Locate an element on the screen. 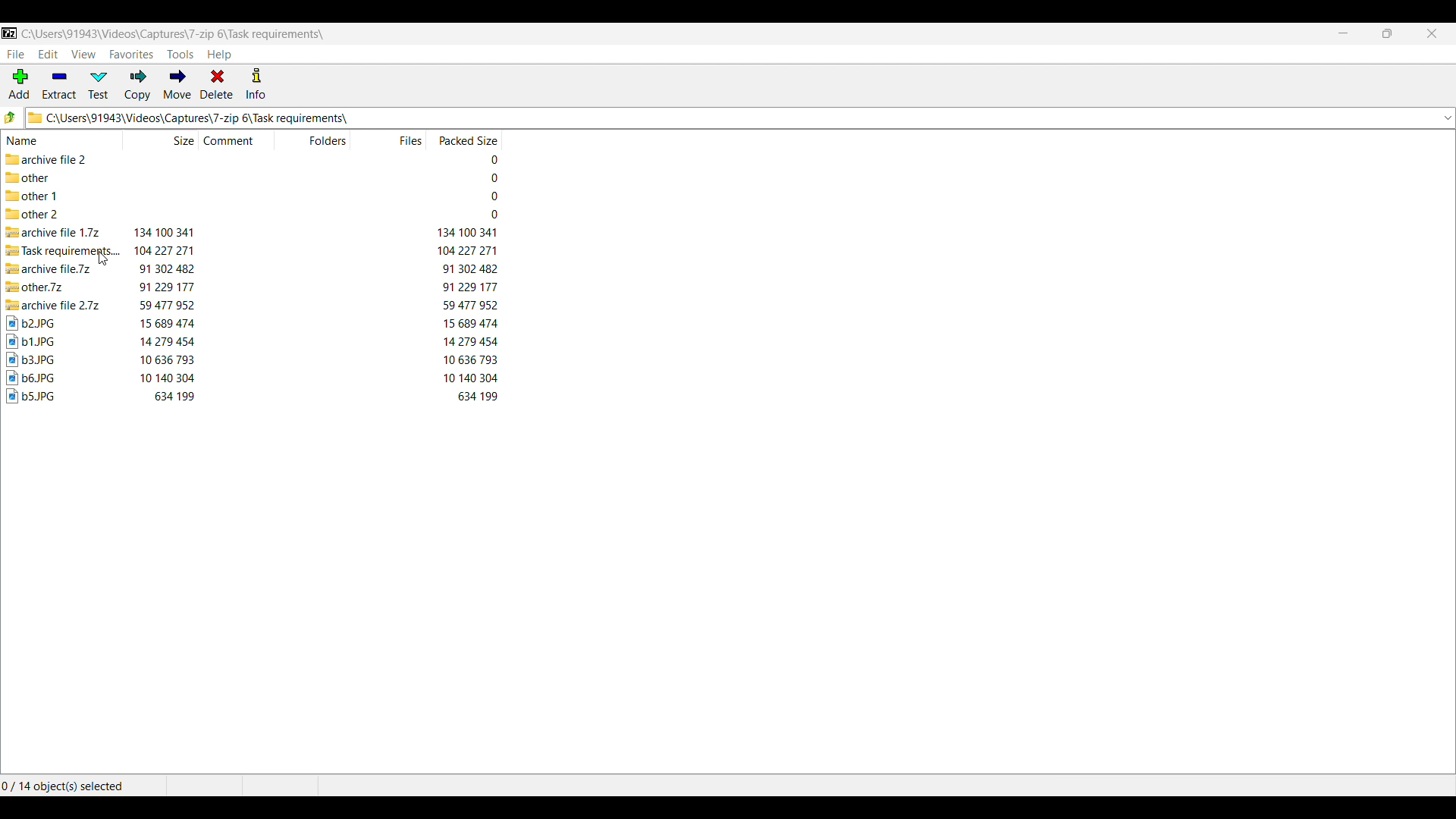 This screenshot has width=1456, height=819. Location of current folder is located at coordinates (174, 34).